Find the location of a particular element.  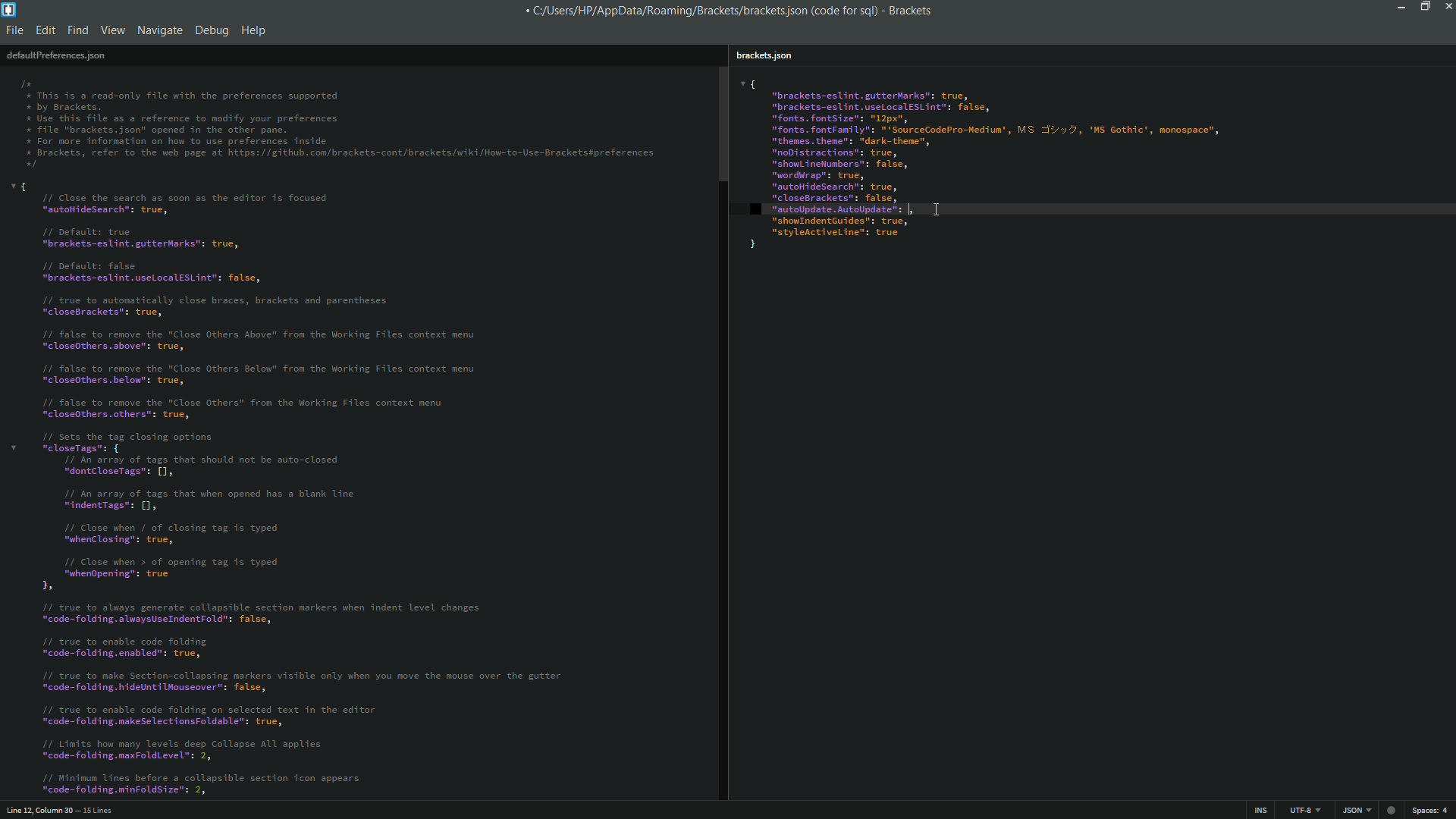

help menu is located at coordinates (255, 30).